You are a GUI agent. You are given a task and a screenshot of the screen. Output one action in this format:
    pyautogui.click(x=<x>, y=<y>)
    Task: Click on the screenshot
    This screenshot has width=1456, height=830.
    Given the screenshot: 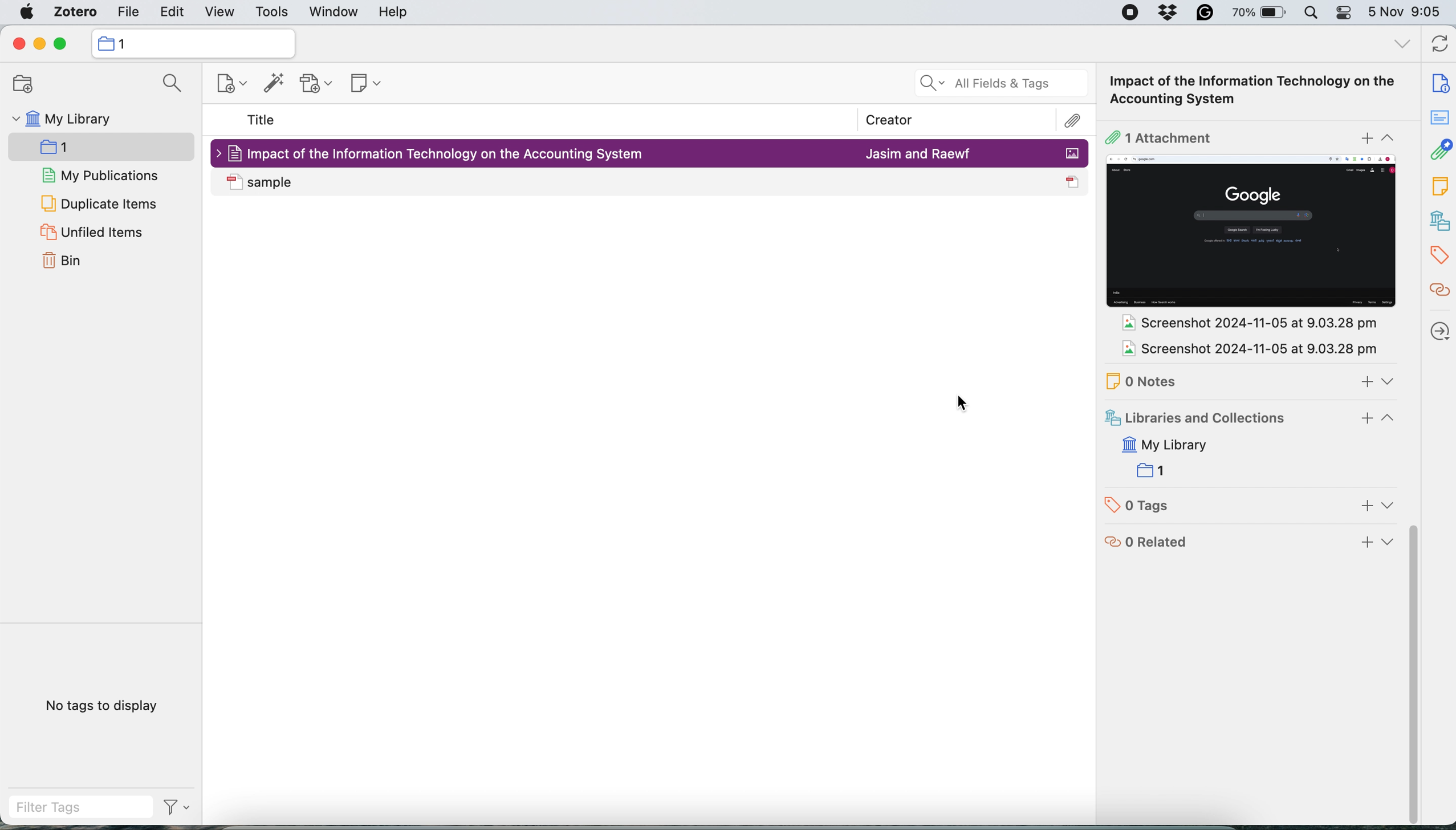 What is the action you would take?
    pyautogui.click(x=1252, y=232)
    